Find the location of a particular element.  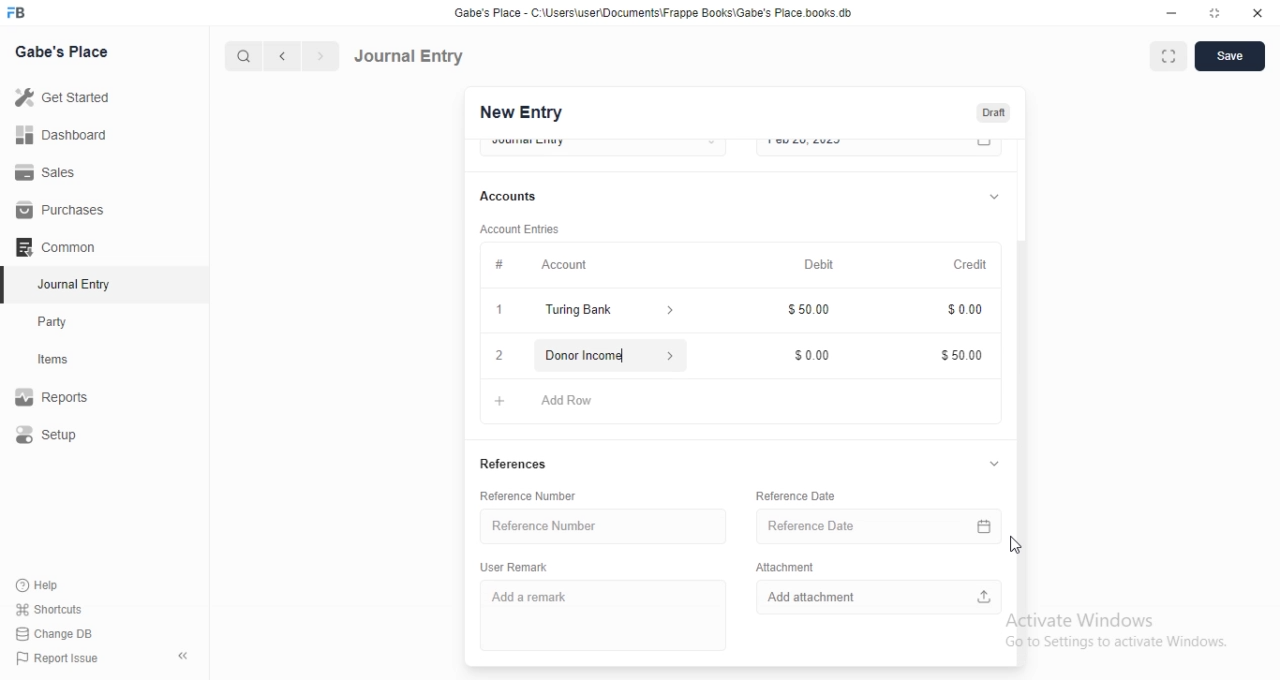

cursor is located at coordinates (1018, 544).